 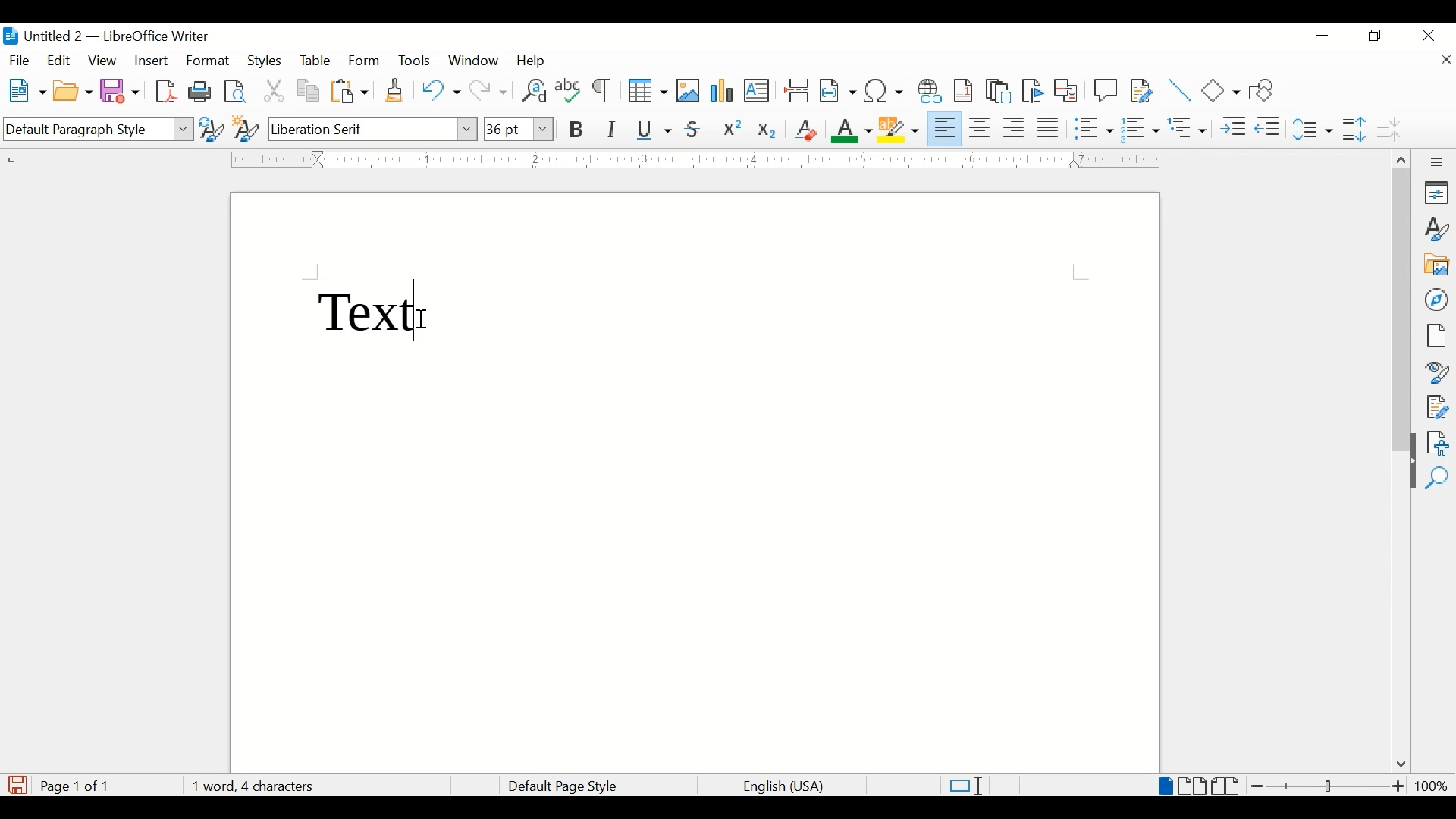 What do you see at coordinates (1094, 128) in the screenshot?
I see `toggle unordered list` at bounding box center [1094, 128].